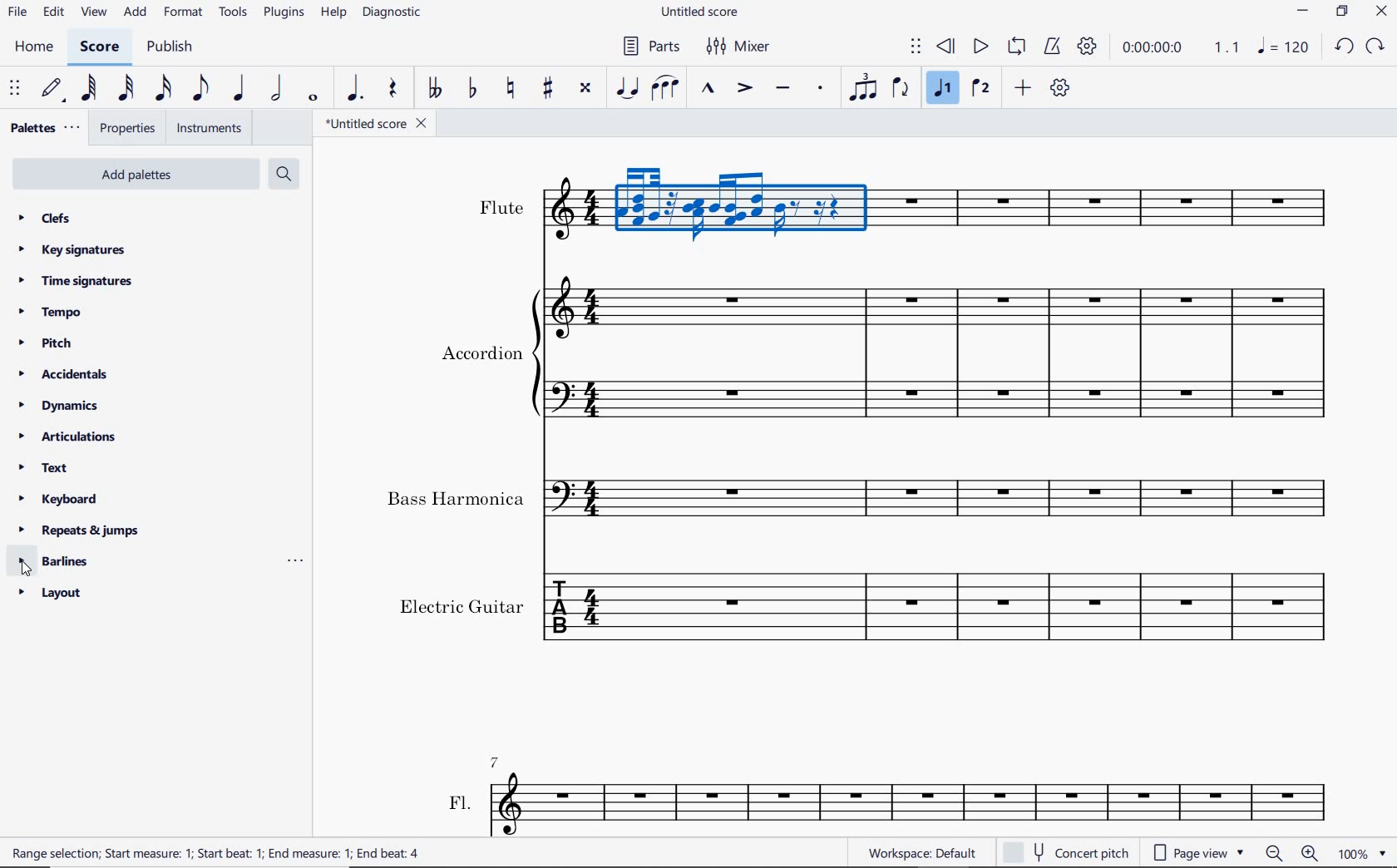  I want to click on RESTORE DOWN, so click(1341, 12).